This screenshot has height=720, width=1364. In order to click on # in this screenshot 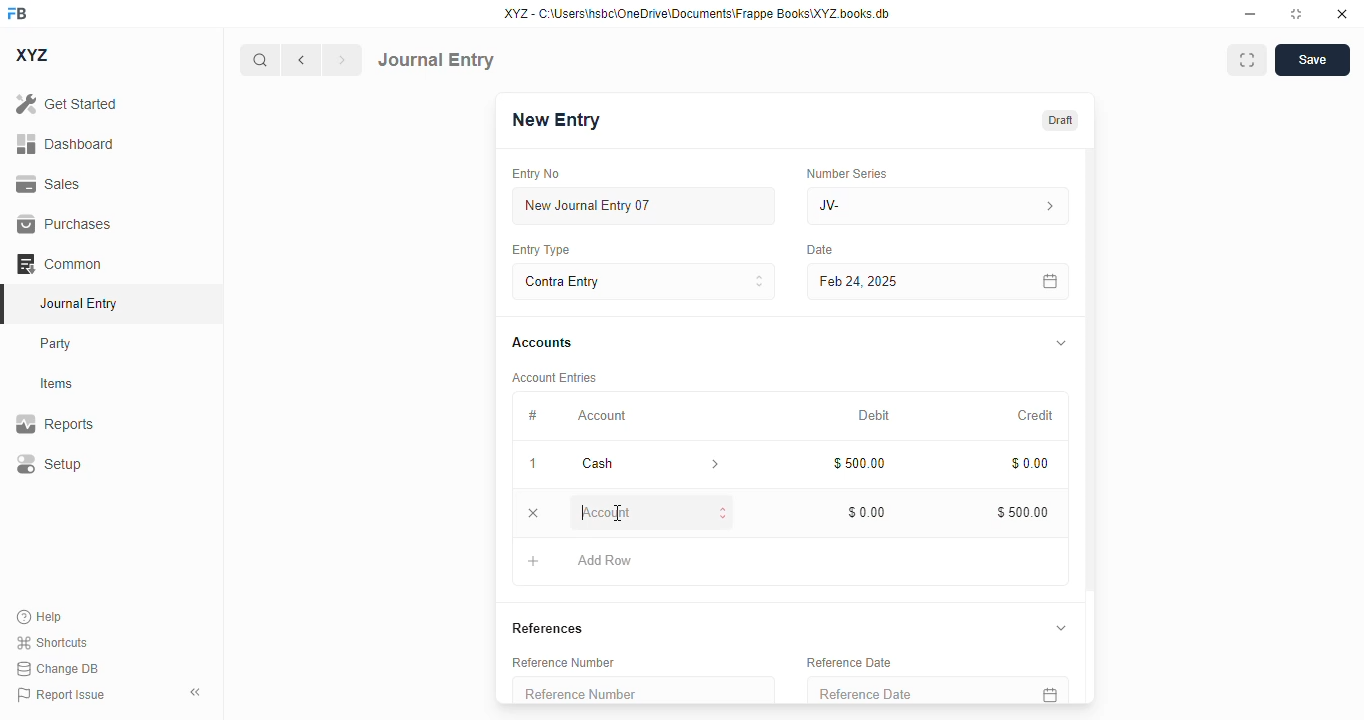, I will do `click(531, 415)`.